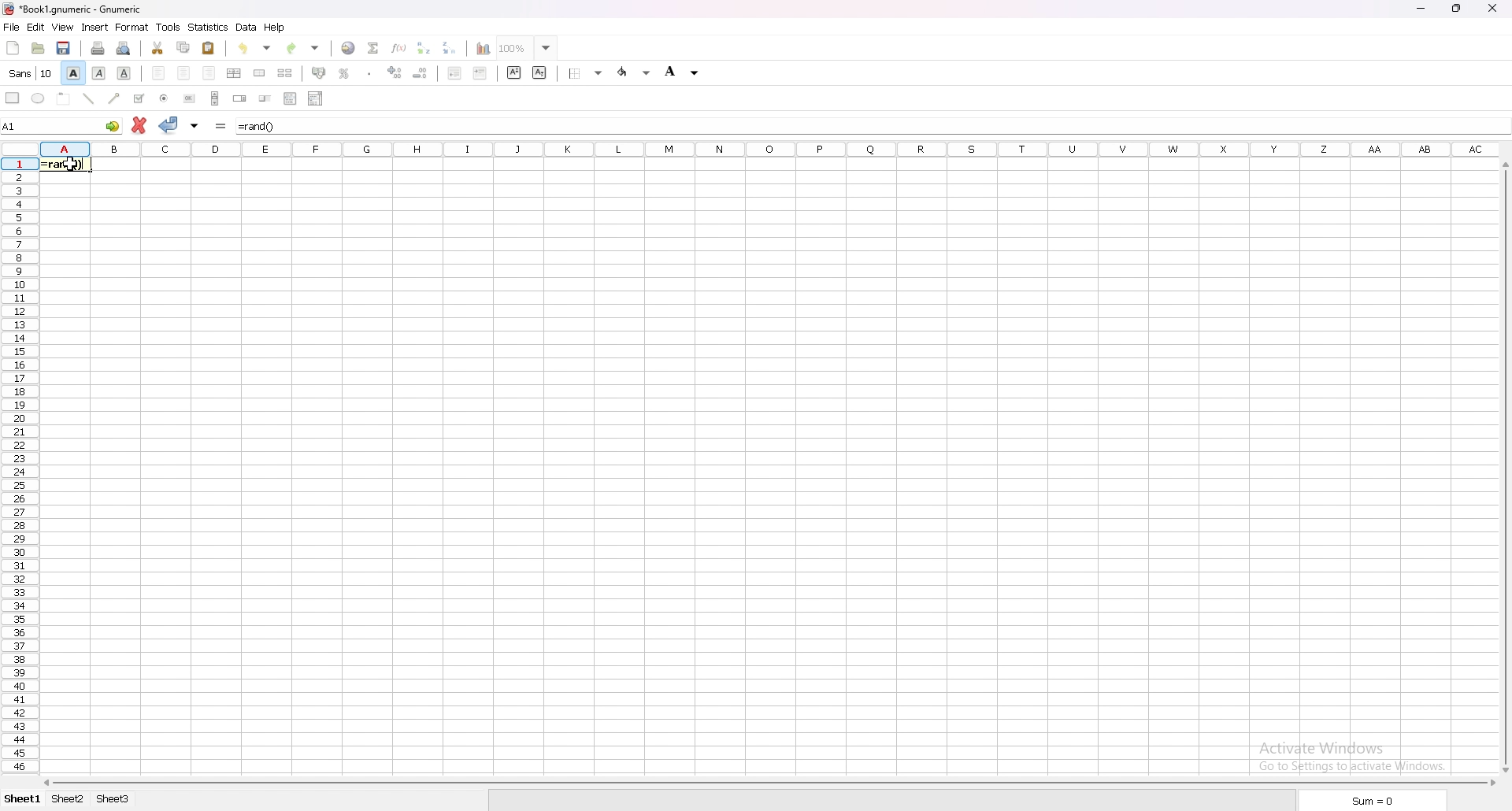 This screenshot has width=1512, height=811. What do you see at coordinates (63, 98) in the screenshot?
I see `frame` at bounding box center [63, 98].